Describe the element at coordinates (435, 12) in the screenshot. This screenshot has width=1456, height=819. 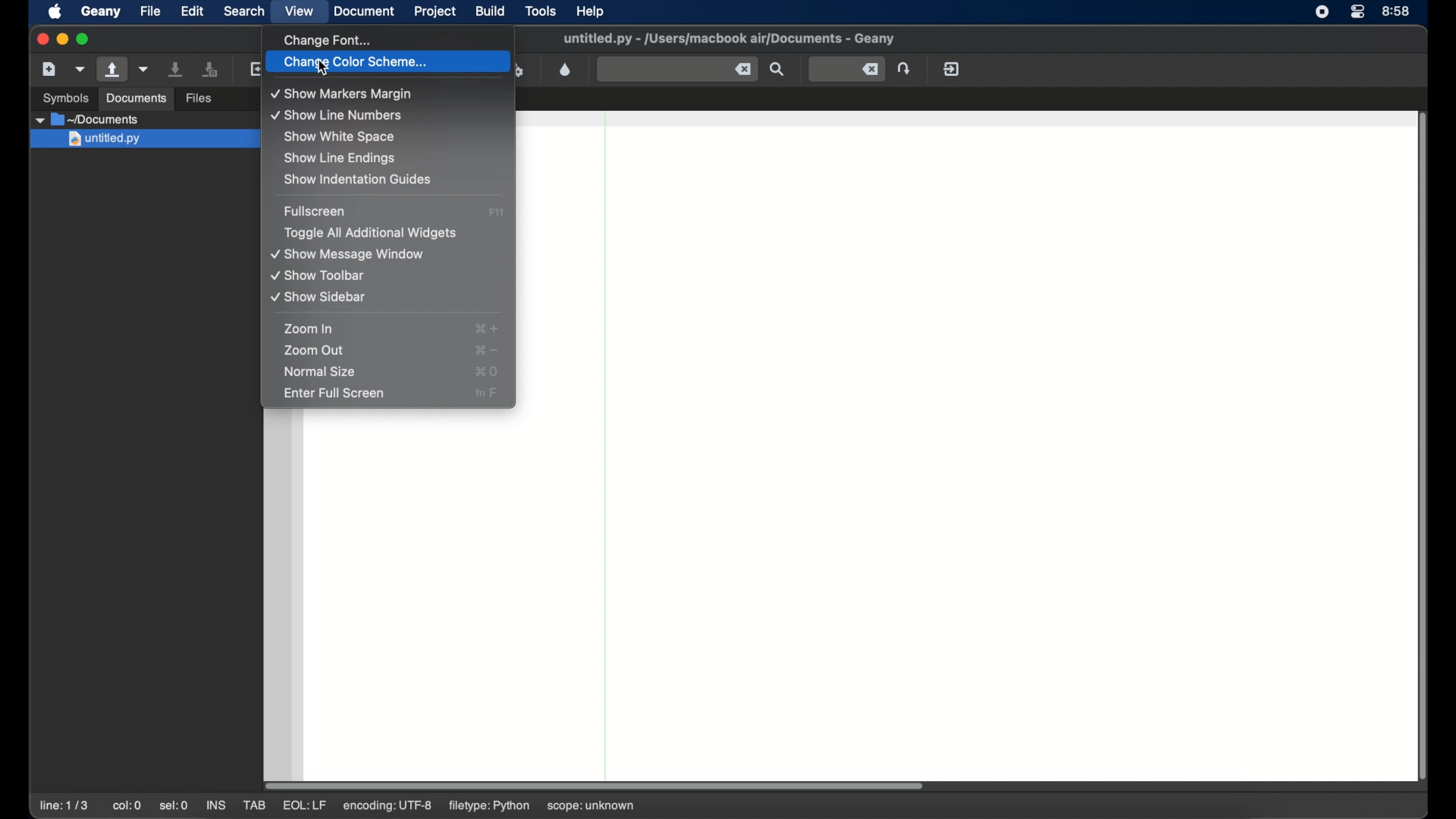
I see `project` at that location.